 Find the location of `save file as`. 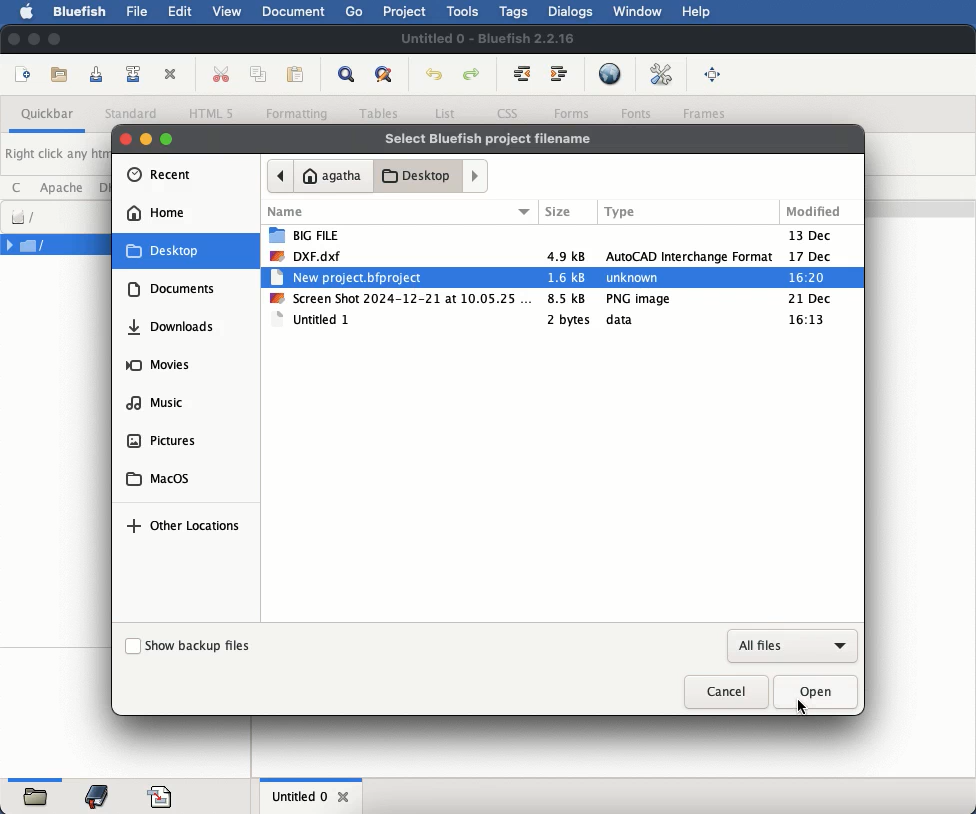

save file as is located at coordinates (135, 74).